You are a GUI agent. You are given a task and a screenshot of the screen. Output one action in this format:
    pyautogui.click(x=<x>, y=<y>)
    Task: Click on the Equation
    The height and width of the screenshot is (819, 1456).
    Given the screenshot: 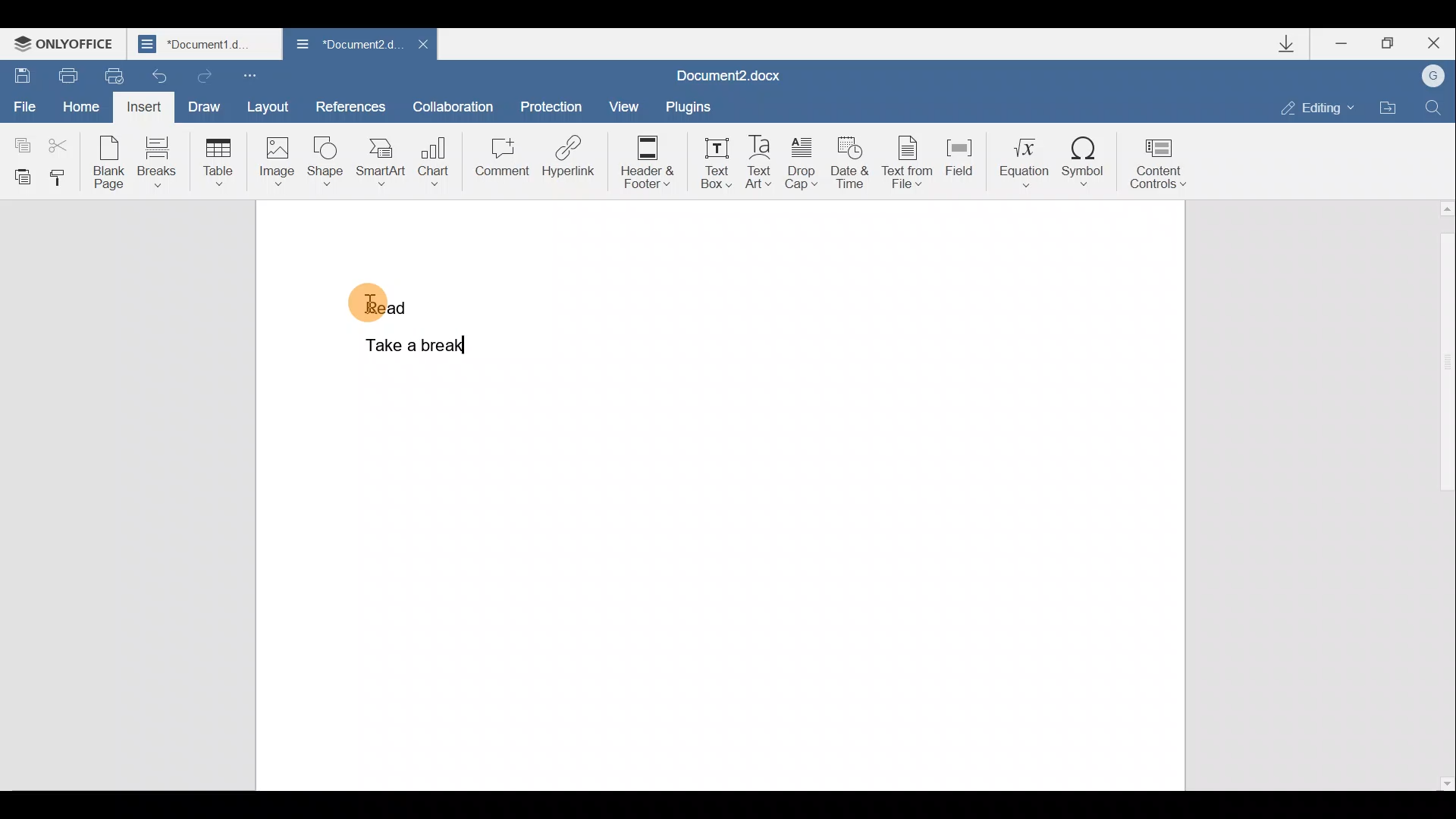 What is the action you would take?
    pyautogui.click(x=1020, y=162)
    